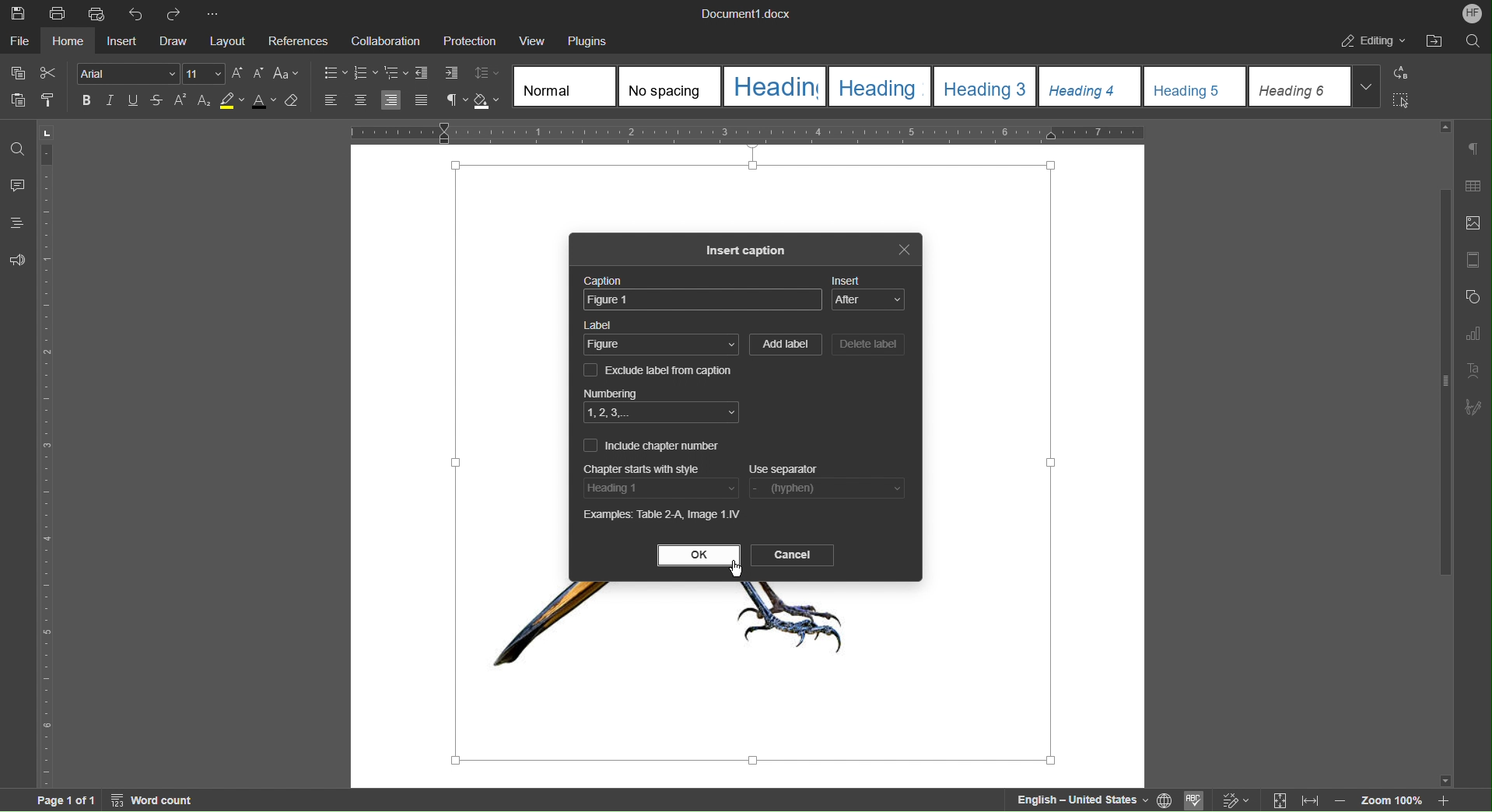 This screenshot has width=1492, height=812. What do you see at coordinates (1196, 86) in the screenshot?
I see `Heading 5` at bounding box center [1196, 86].